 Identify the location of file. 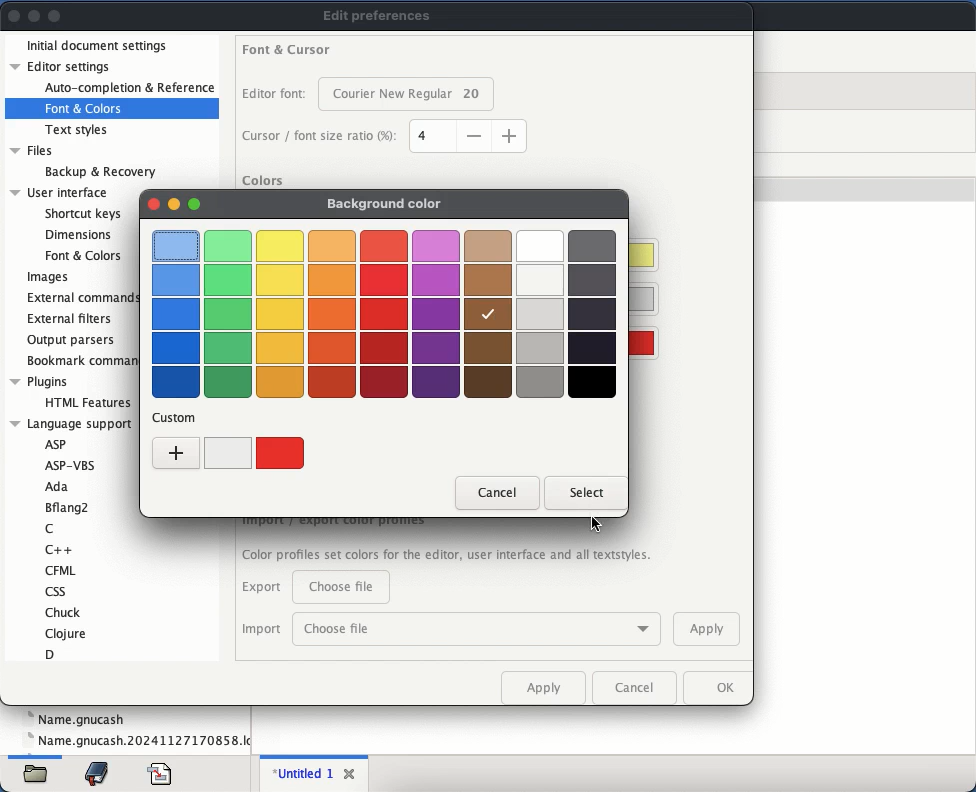
(37, 776).